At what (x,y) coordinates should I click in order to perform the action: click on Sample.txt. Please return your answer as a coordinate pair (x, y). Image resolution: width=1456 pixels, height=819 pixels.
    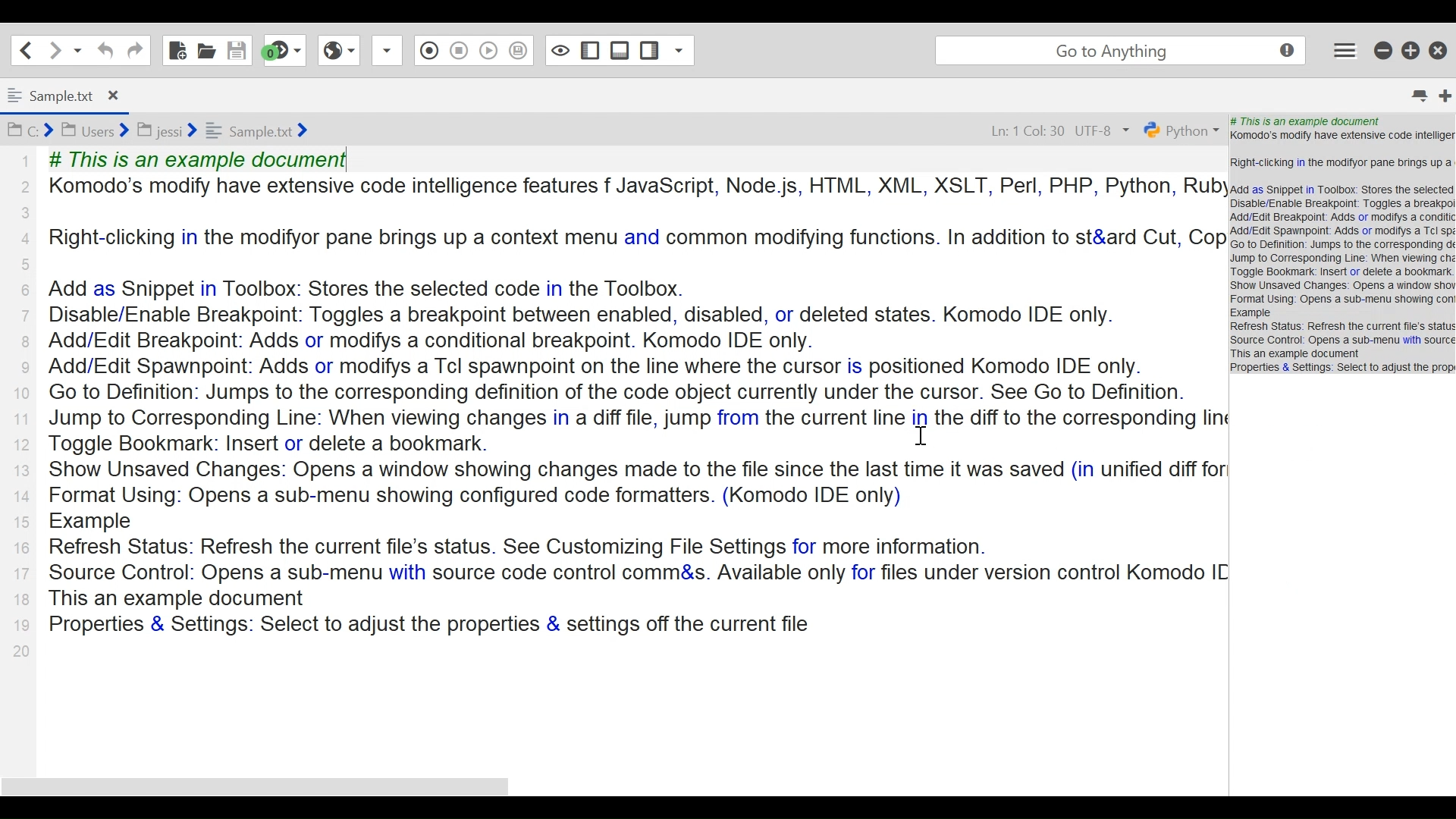
    Looking at the image, I should click on (72, 95).